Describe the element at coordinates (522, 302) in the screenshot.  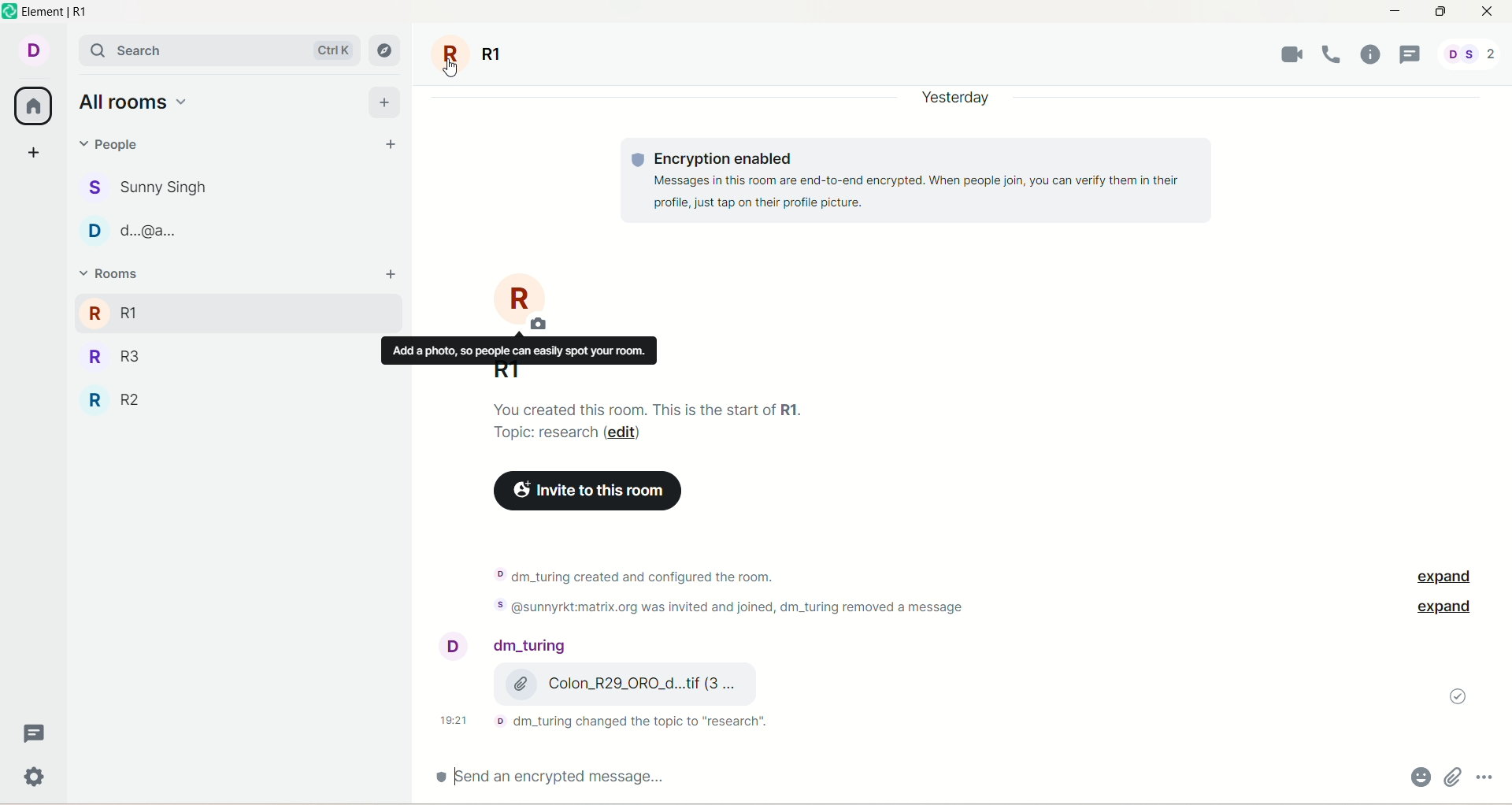
I see `room R1` at that location.